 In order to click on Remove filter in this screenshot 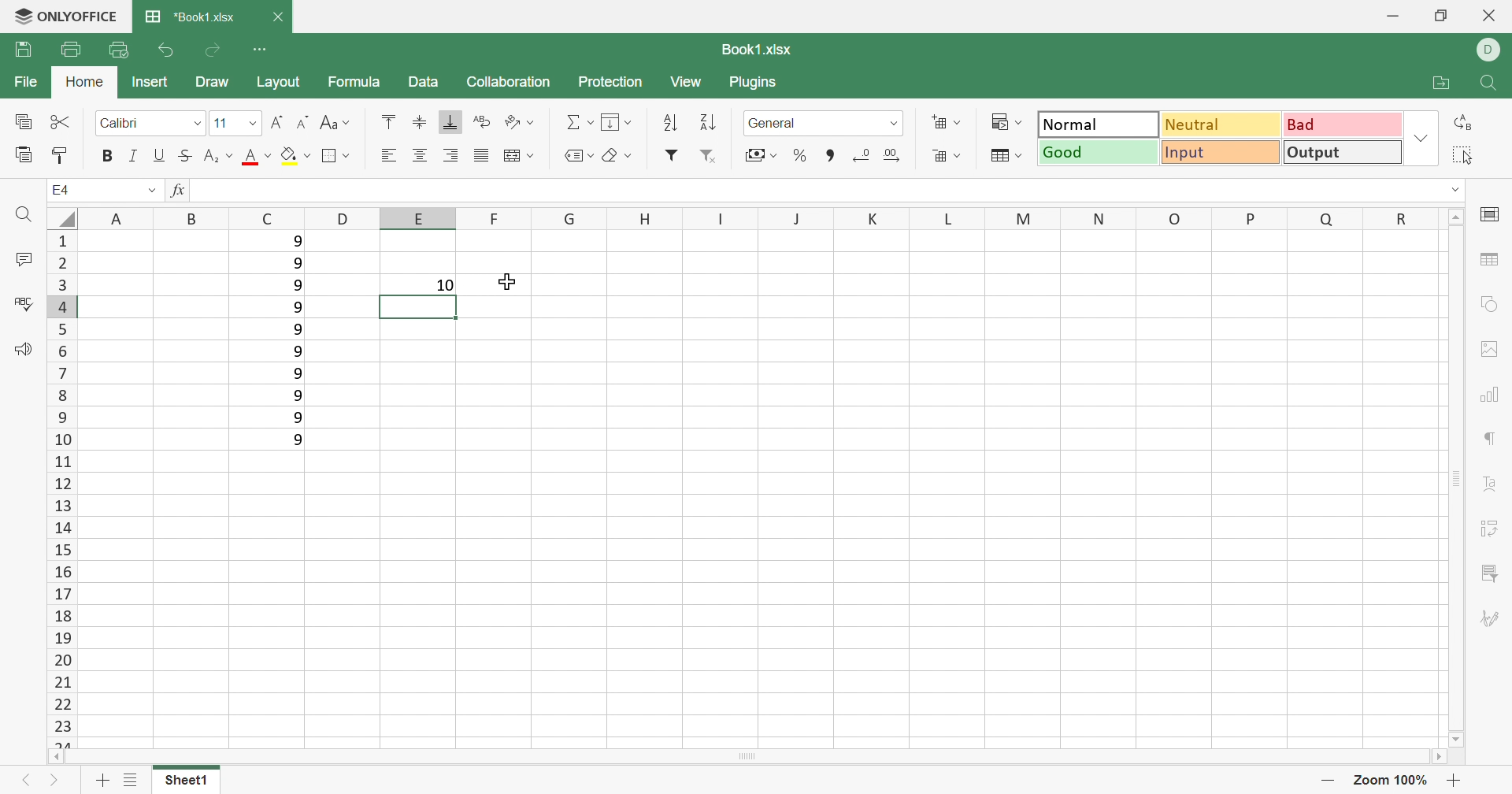, I will do `click(706, 155)`.